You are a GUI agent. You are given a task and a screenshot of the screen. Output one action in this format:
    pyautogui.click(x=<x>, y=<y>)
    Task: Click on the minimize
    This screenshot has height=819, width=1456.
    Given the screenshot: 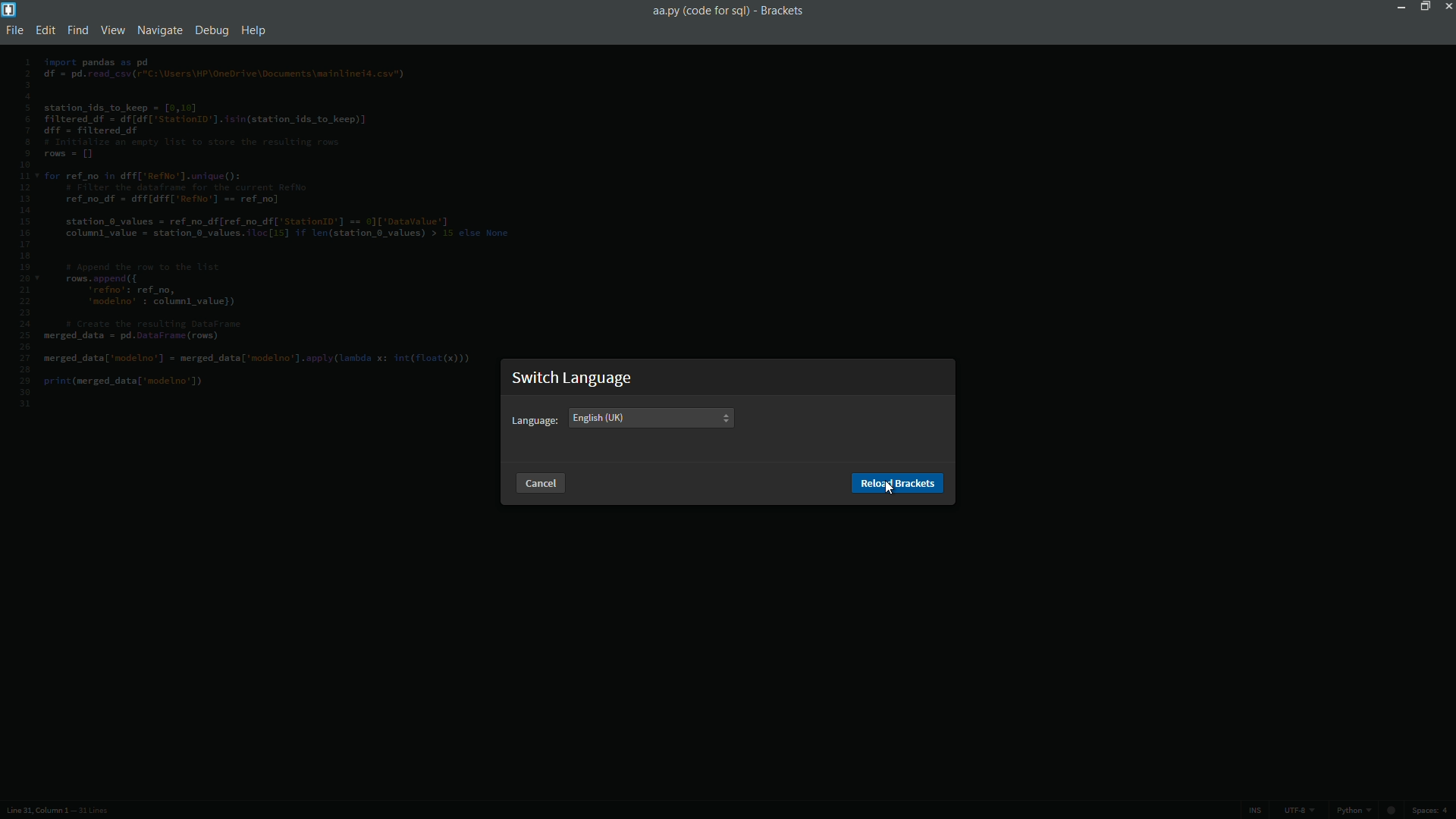 What is the action you would take?
    pyautogui.click(x=1398, y=6)
    